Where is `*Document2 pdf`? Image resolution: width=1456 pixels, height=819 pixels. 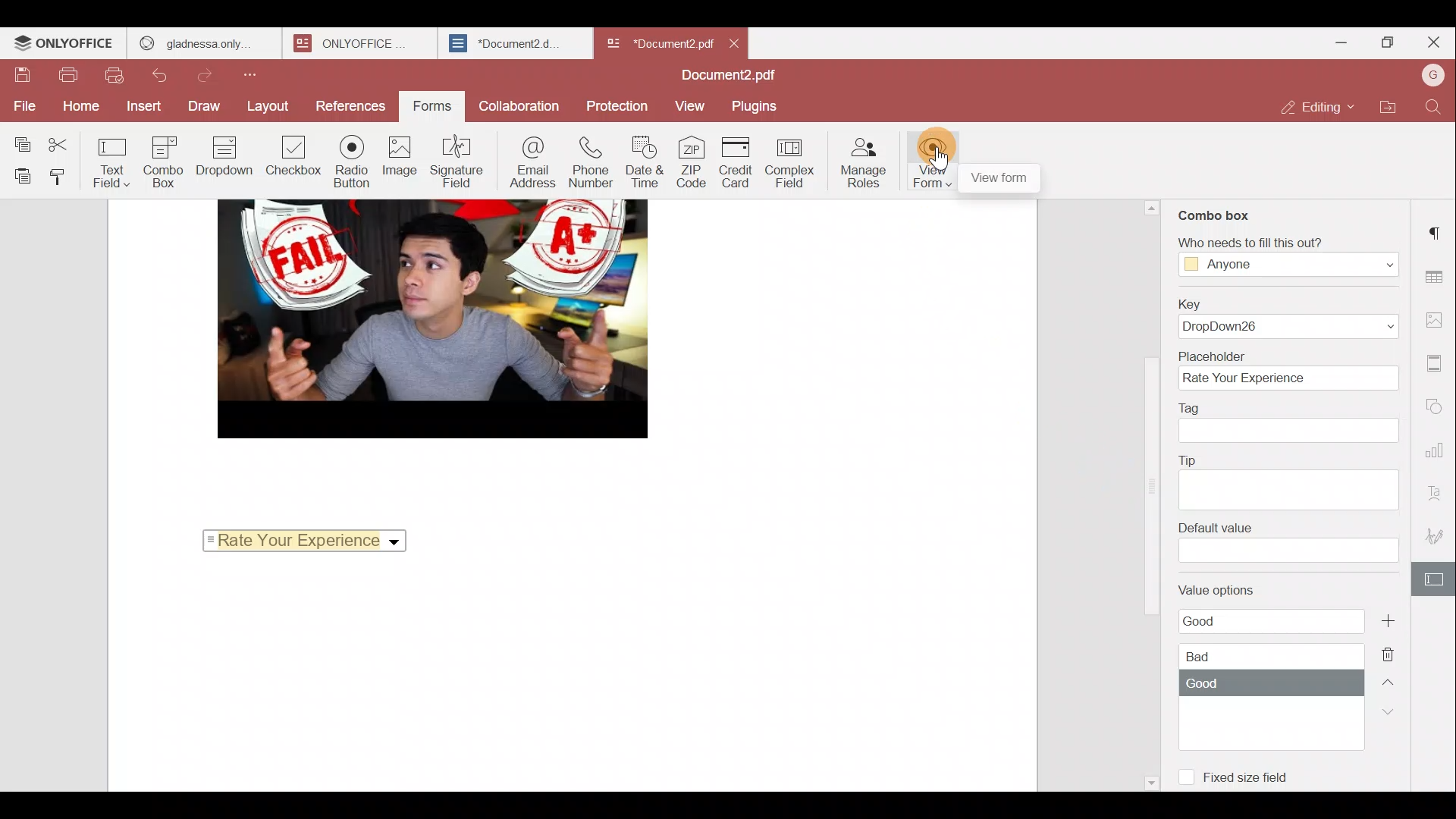
*Document2 pdf is located at coordinates (658, 42).